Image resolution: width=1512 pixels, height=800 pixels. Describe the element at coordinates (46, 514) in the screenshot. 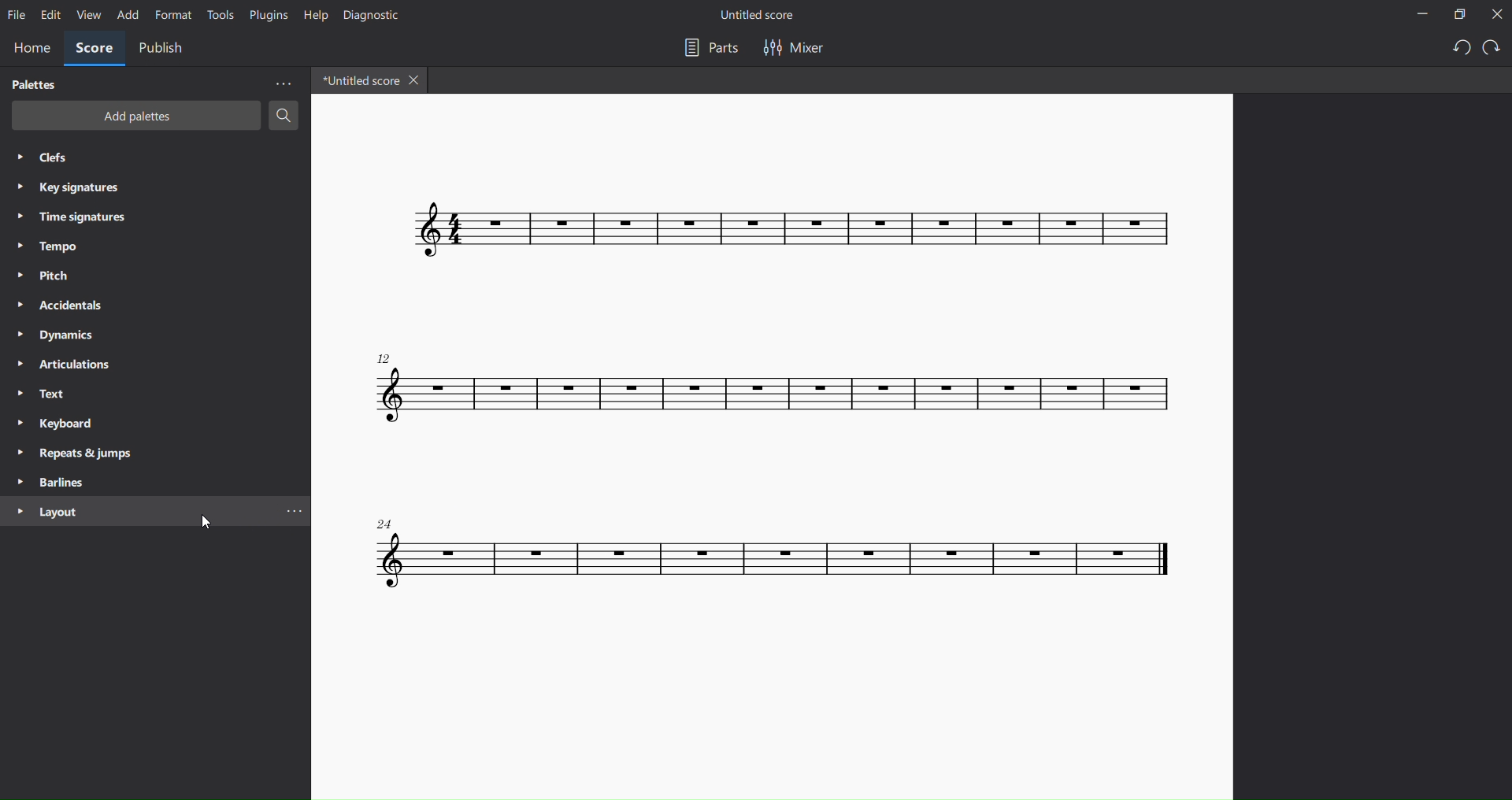

I see `layout` at that location.